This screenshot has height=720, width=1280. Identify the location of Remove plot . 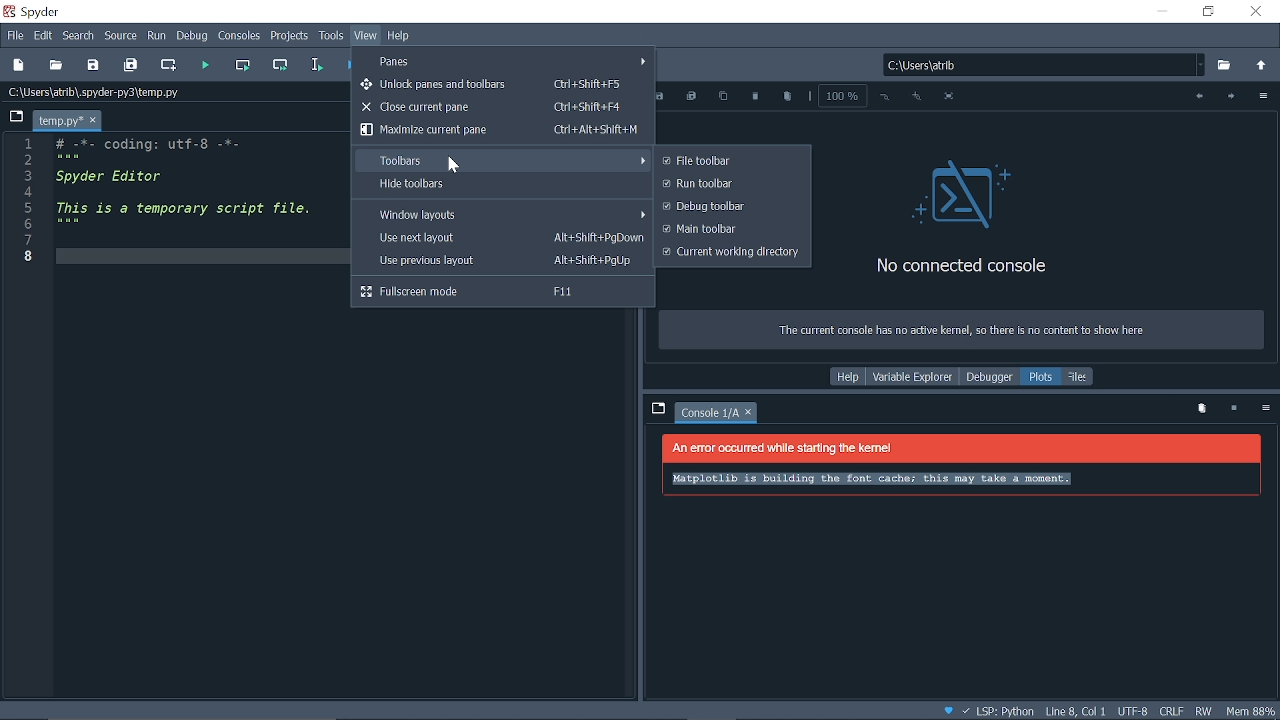
(755, 97).